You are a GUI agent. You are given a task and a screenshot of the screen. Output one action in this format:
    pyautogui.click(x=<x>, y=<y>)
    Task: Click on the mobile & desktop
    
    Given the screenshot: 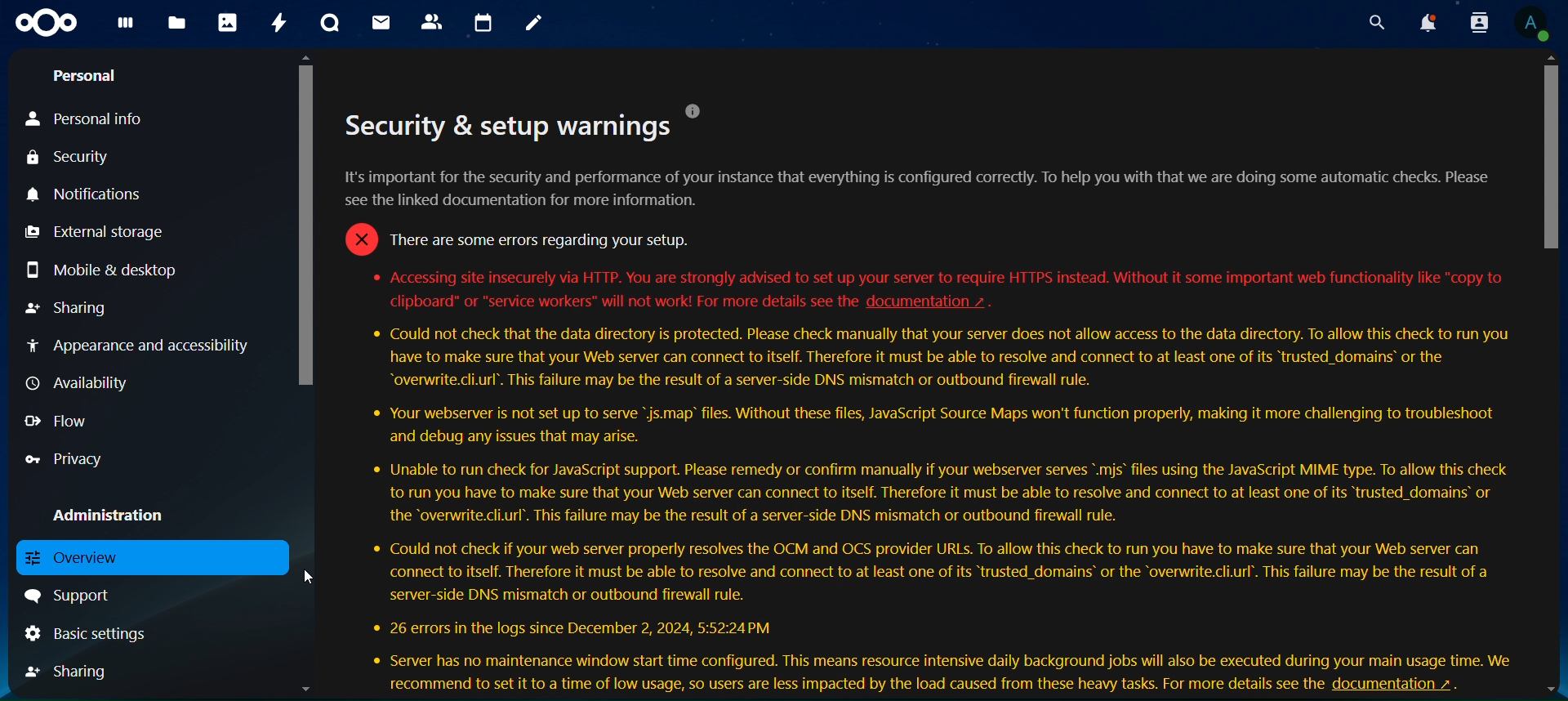 What is the action you would take?
    pyautogui.click(x=101, y=269)
    